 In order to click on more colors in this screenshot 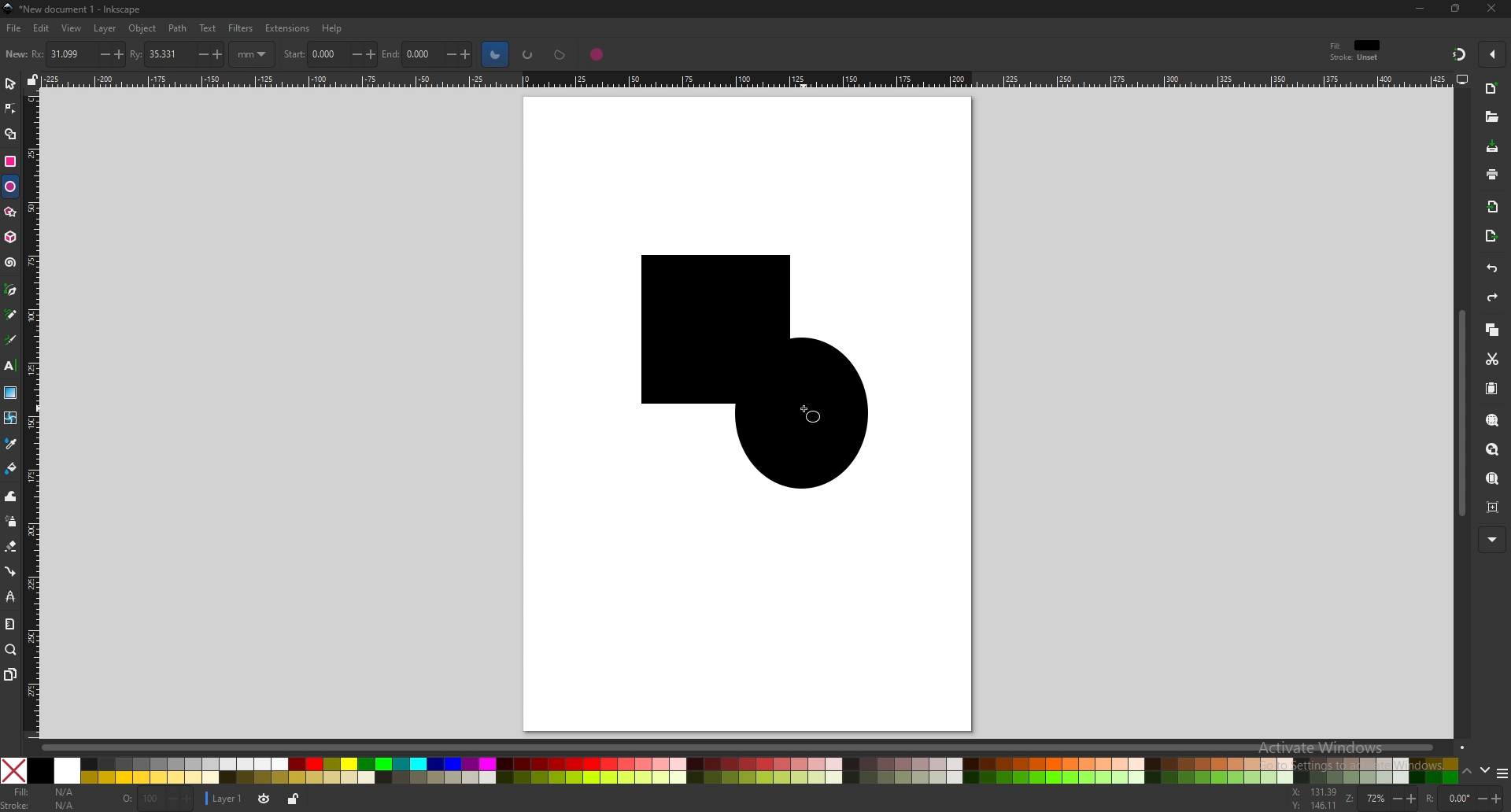, I will do `click(1502, 773)`.